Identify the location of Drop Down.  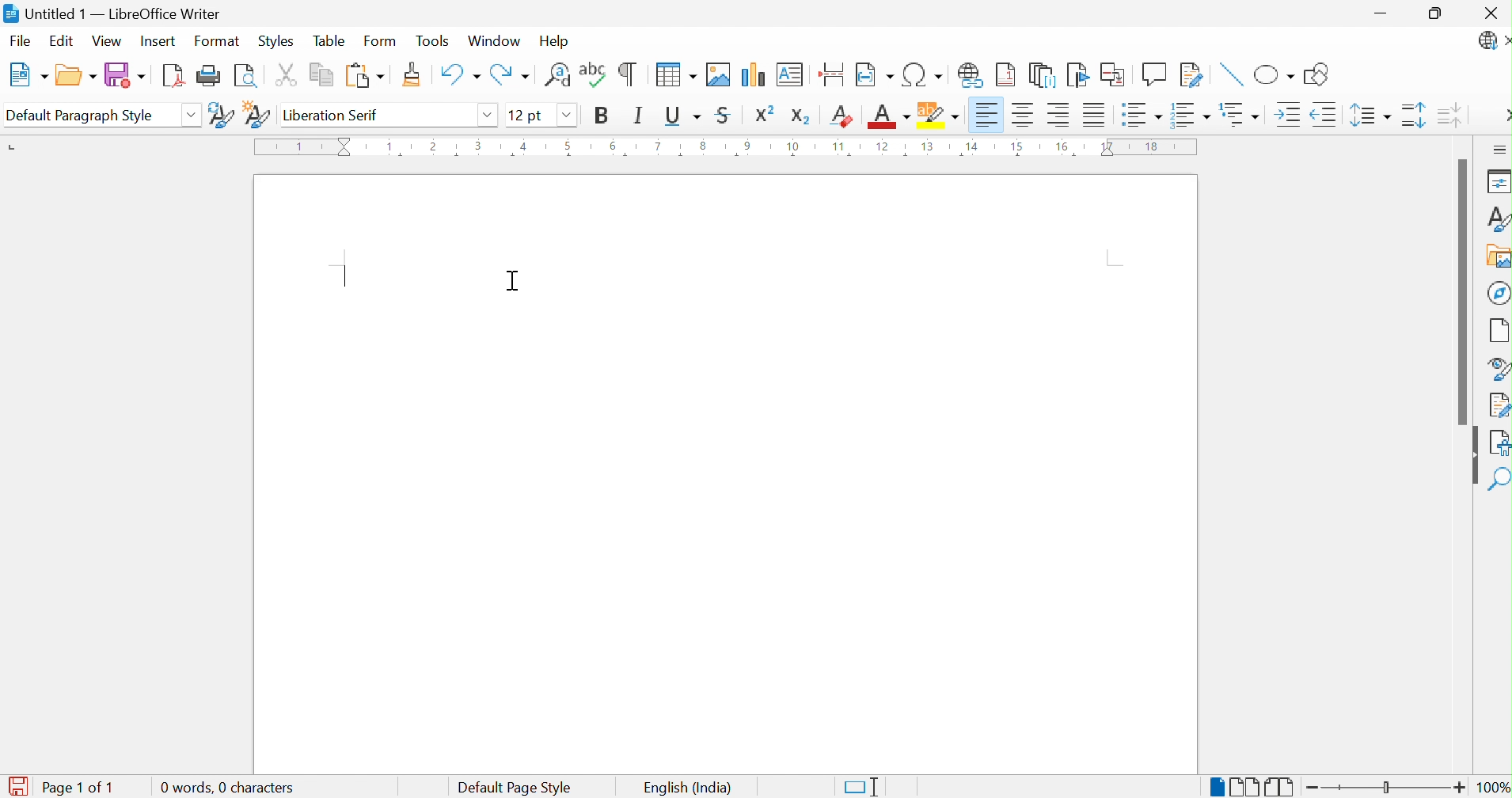
(566, 116).